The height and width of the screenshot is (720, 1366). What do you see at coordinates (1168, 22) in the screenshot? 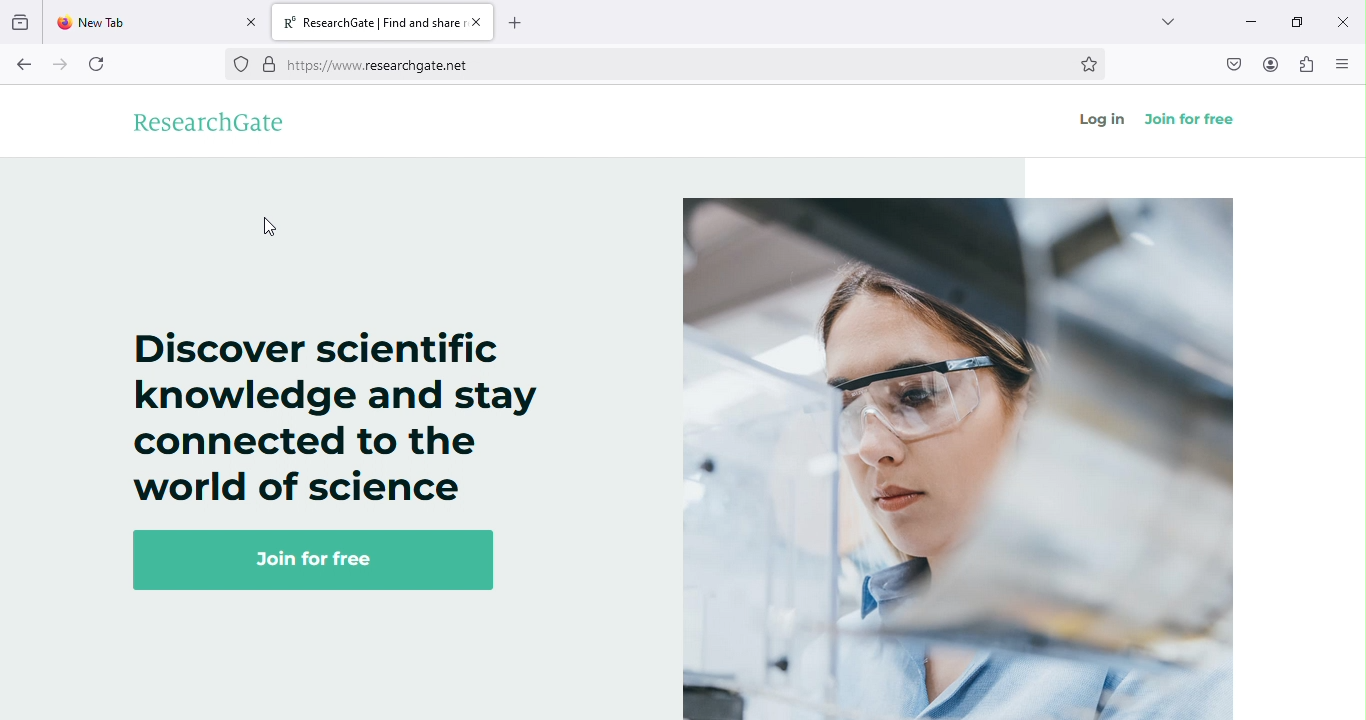
I see `drop down` at bounding box center [1168, 22].